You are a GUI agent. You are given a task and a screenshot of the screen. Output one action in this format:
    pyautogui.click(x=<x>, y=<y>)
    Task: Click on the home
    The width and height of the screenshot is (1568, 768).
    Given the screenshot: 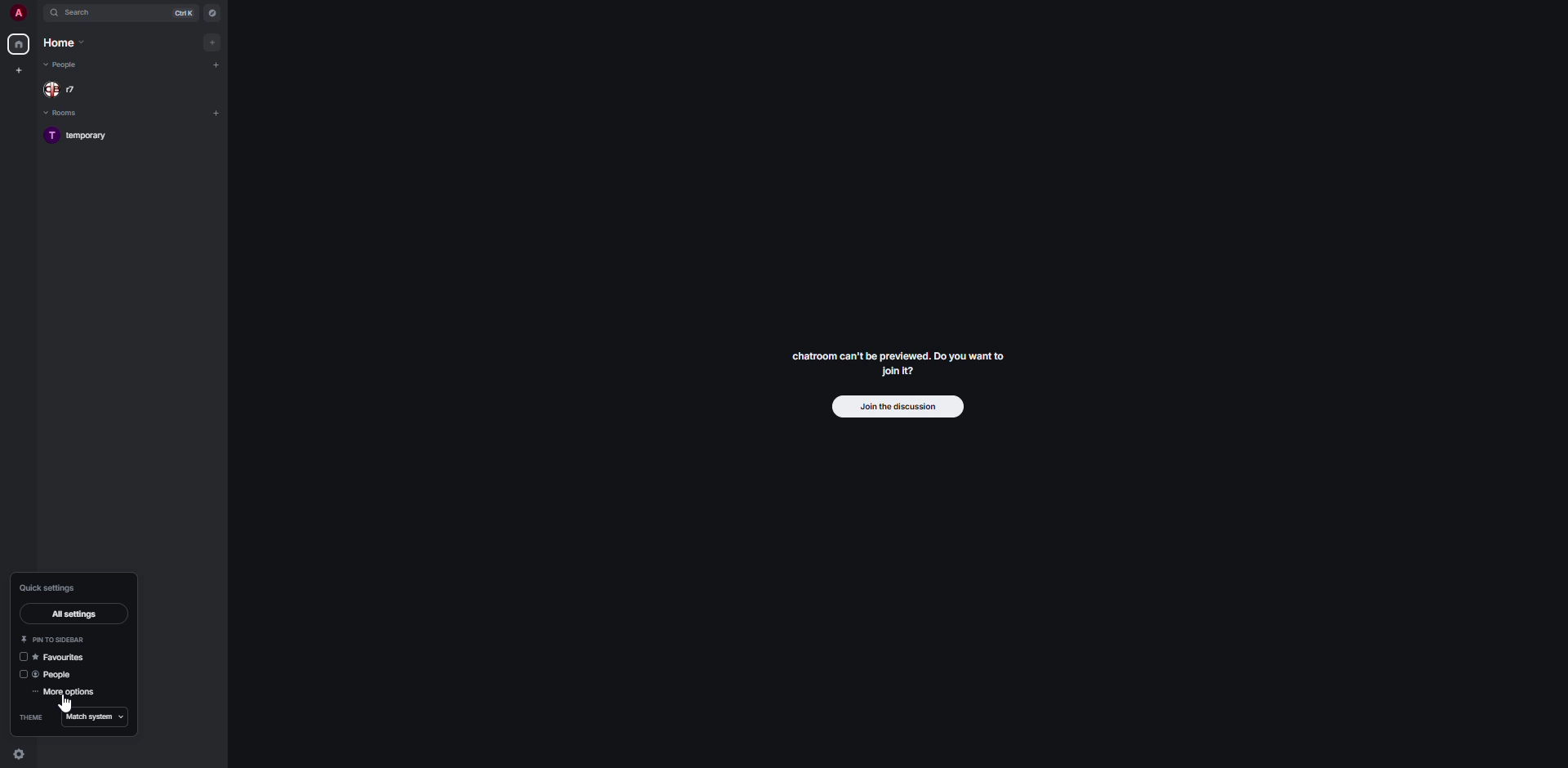 What is the action you would take?
    pyautogui.click(x=65, y=42)
    